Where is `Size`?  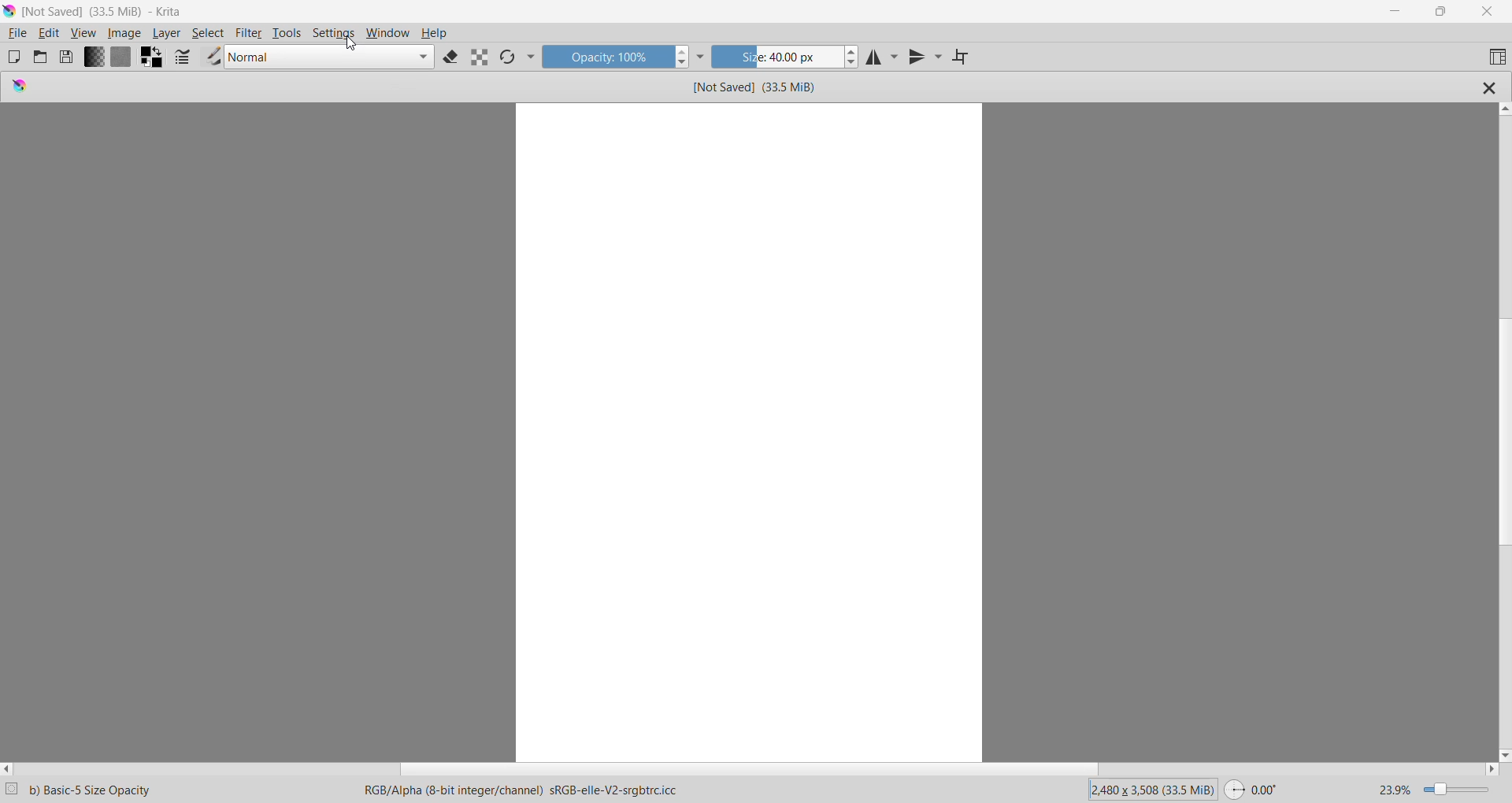
Size is located at coordinates (785, 56).